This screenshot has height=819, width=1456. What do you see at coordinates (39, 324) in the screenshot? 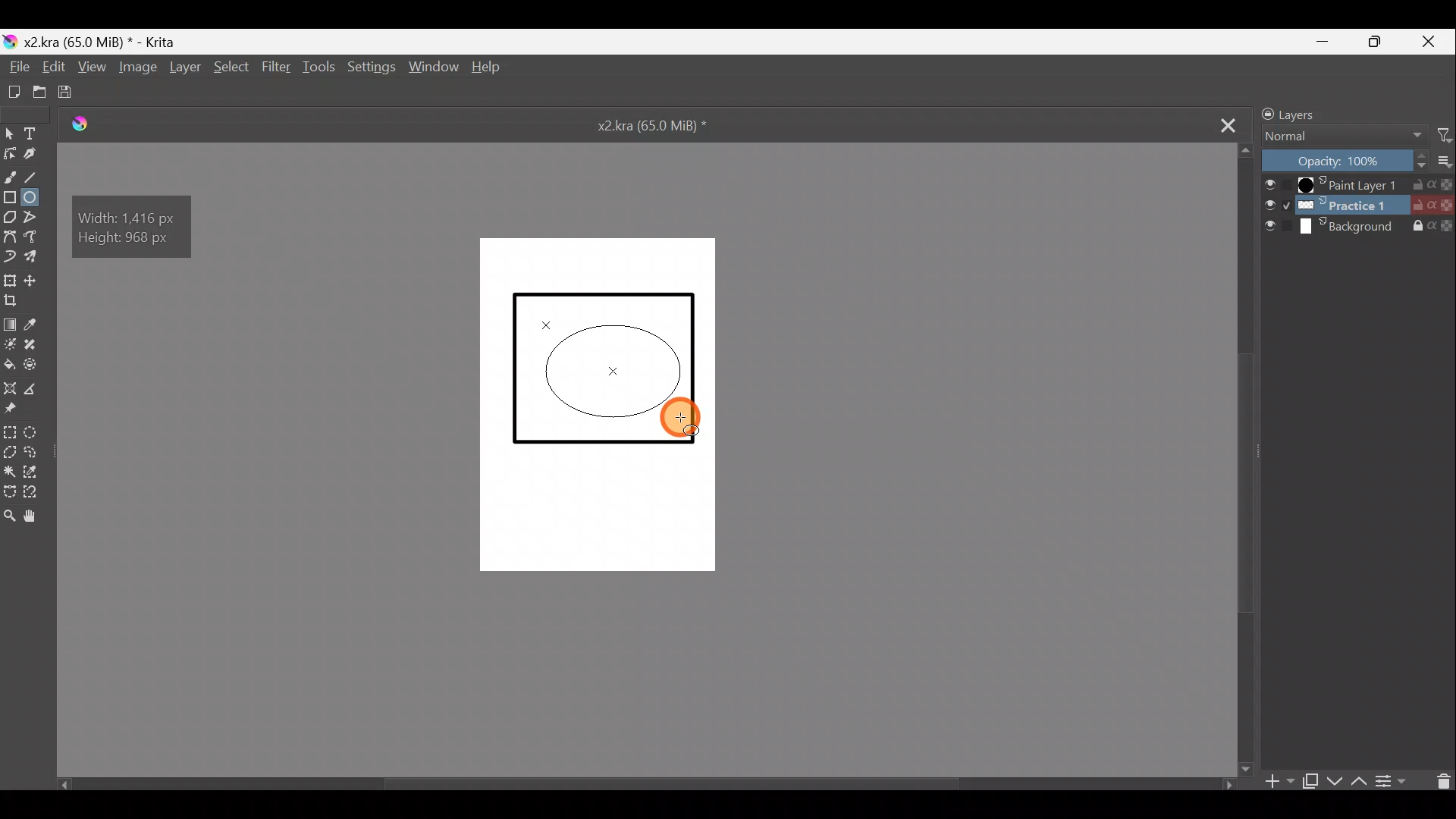
I see `Sample a colour from the image/current layer` at bounding box center [39, 324].